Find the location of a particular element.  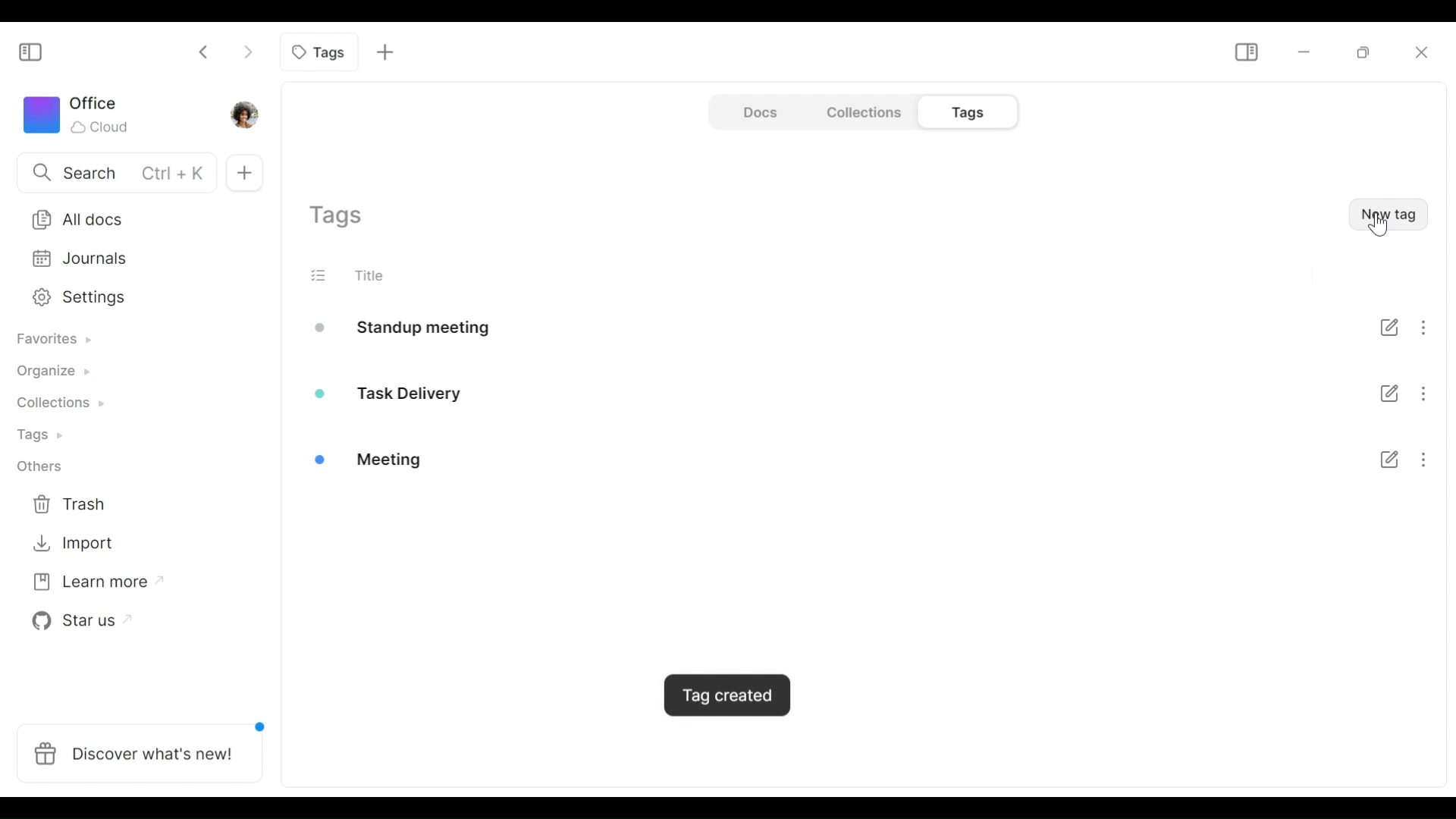

Checklist is located at coordinates (1381, 397).